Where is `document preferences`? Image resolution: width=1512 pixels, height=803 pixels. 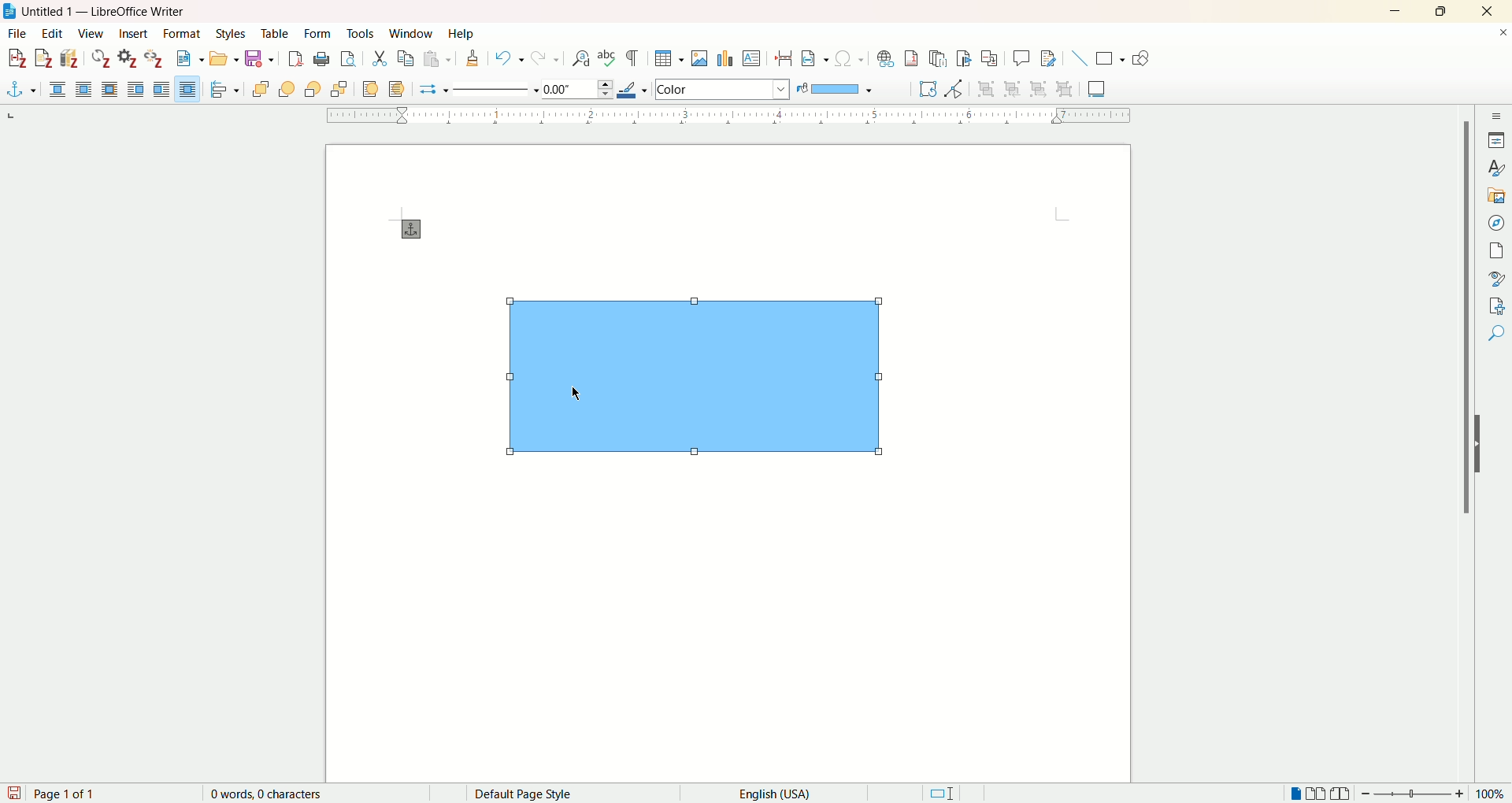
document preferences is located at coordinates (127, 57).